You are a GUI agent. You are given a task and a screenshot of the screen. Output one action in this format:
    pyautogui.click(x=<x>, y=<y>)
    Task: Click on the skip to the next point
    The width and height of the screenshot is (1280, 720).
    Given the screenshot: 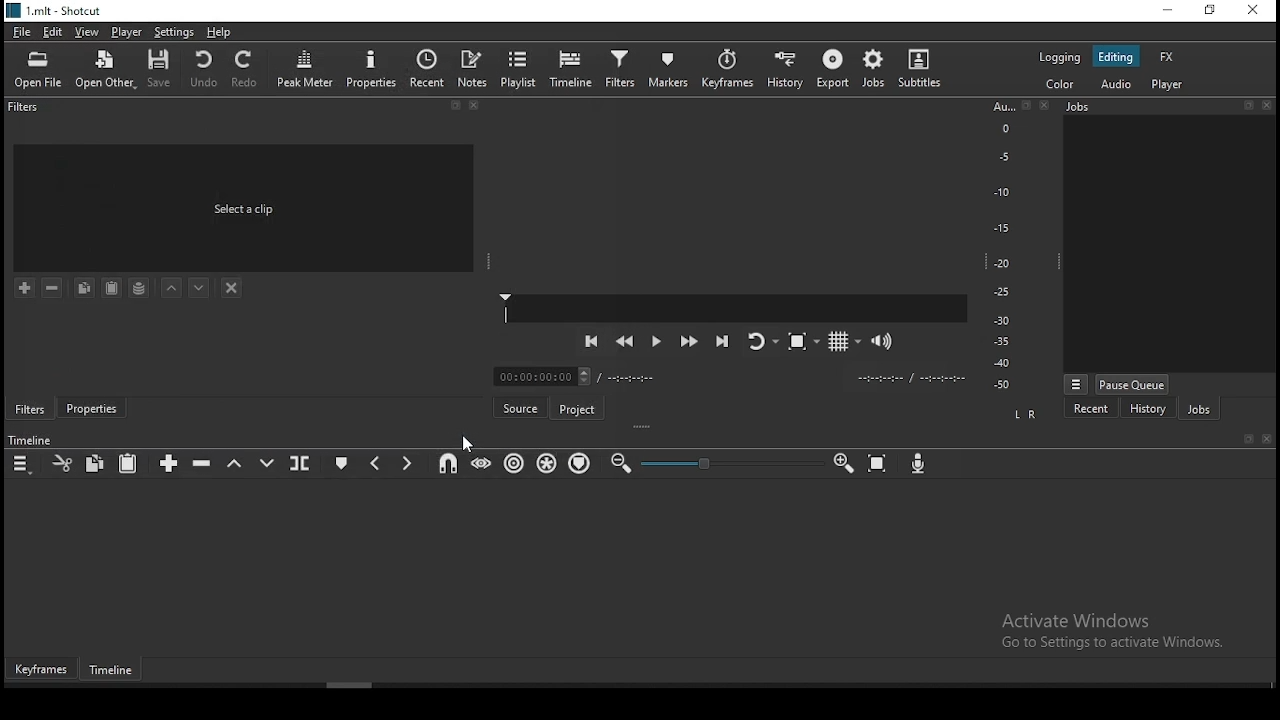 What is the action you would take?
    pyautogui.click(x=723, y=340)
    